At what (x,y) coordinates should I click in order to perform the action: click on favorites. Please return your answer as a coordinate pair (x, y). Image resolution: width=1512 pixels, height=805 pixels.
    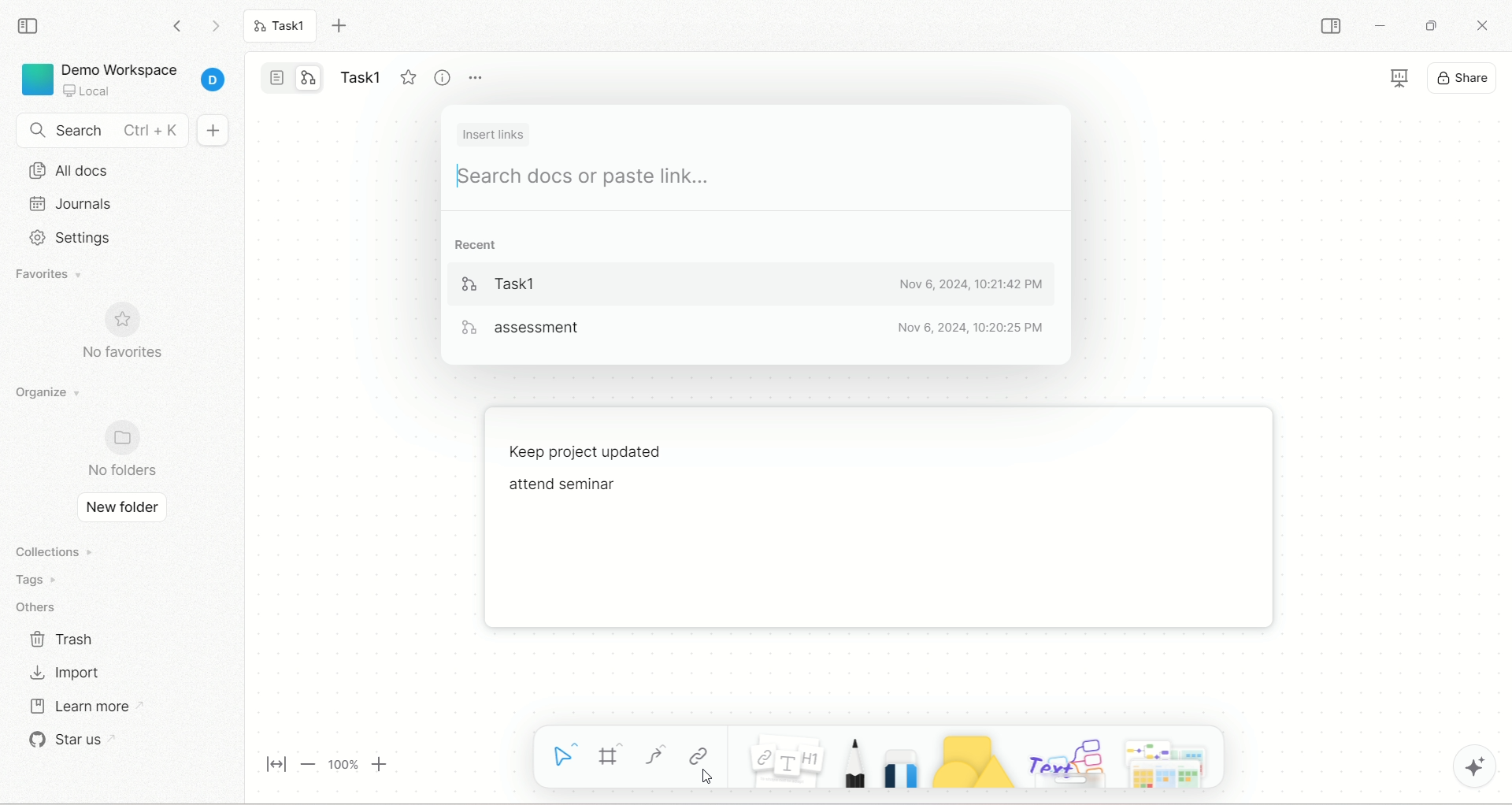
    Looking at the image, I should click on (62, 276).